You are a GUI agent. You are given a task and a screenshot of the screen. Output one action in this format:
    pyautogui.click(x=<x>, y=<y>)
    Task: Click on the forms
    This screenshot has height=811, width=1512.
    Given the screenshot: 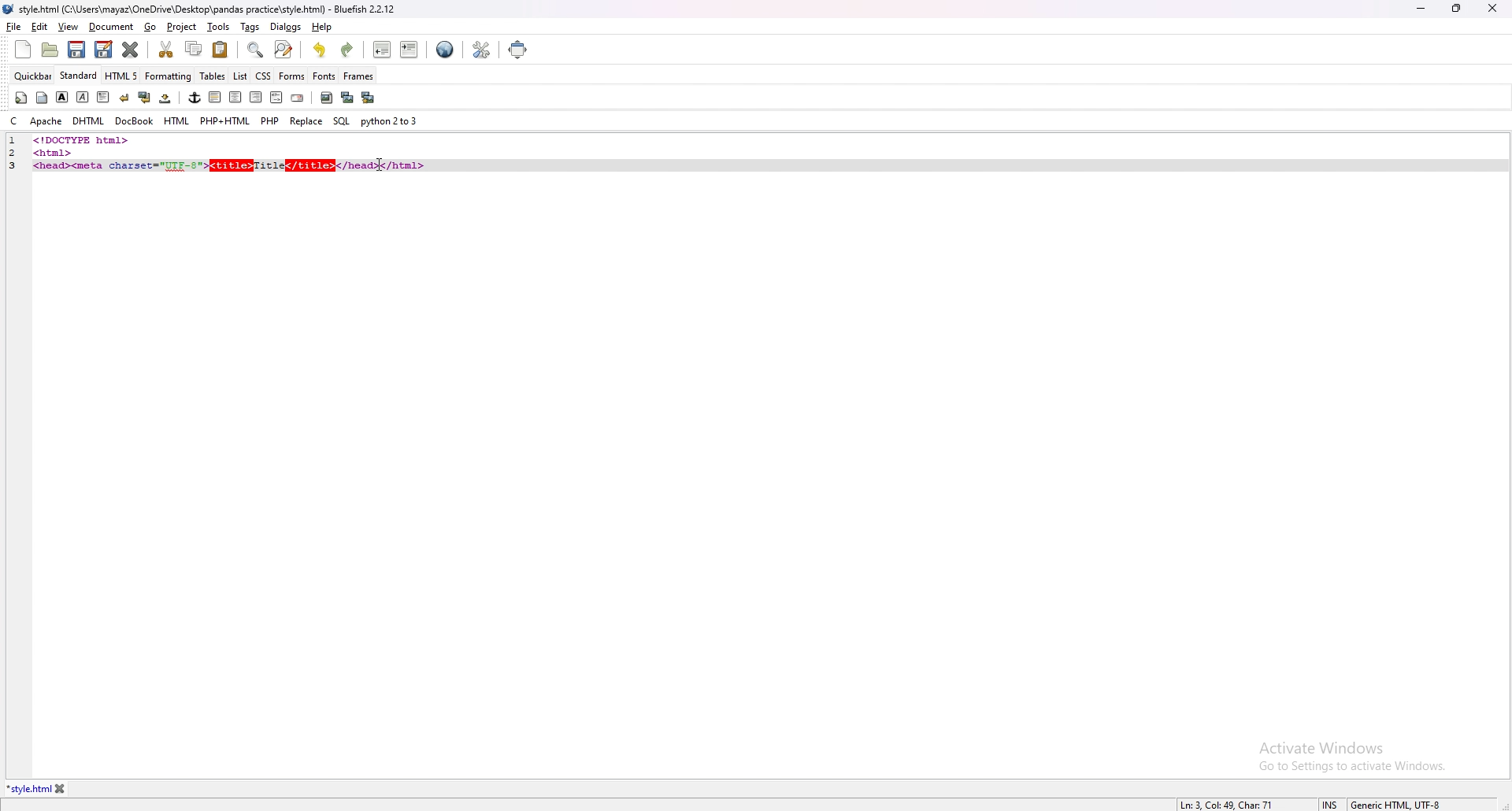 What is the action you would take?
    pyautogui.click(x=292, y=75)
    